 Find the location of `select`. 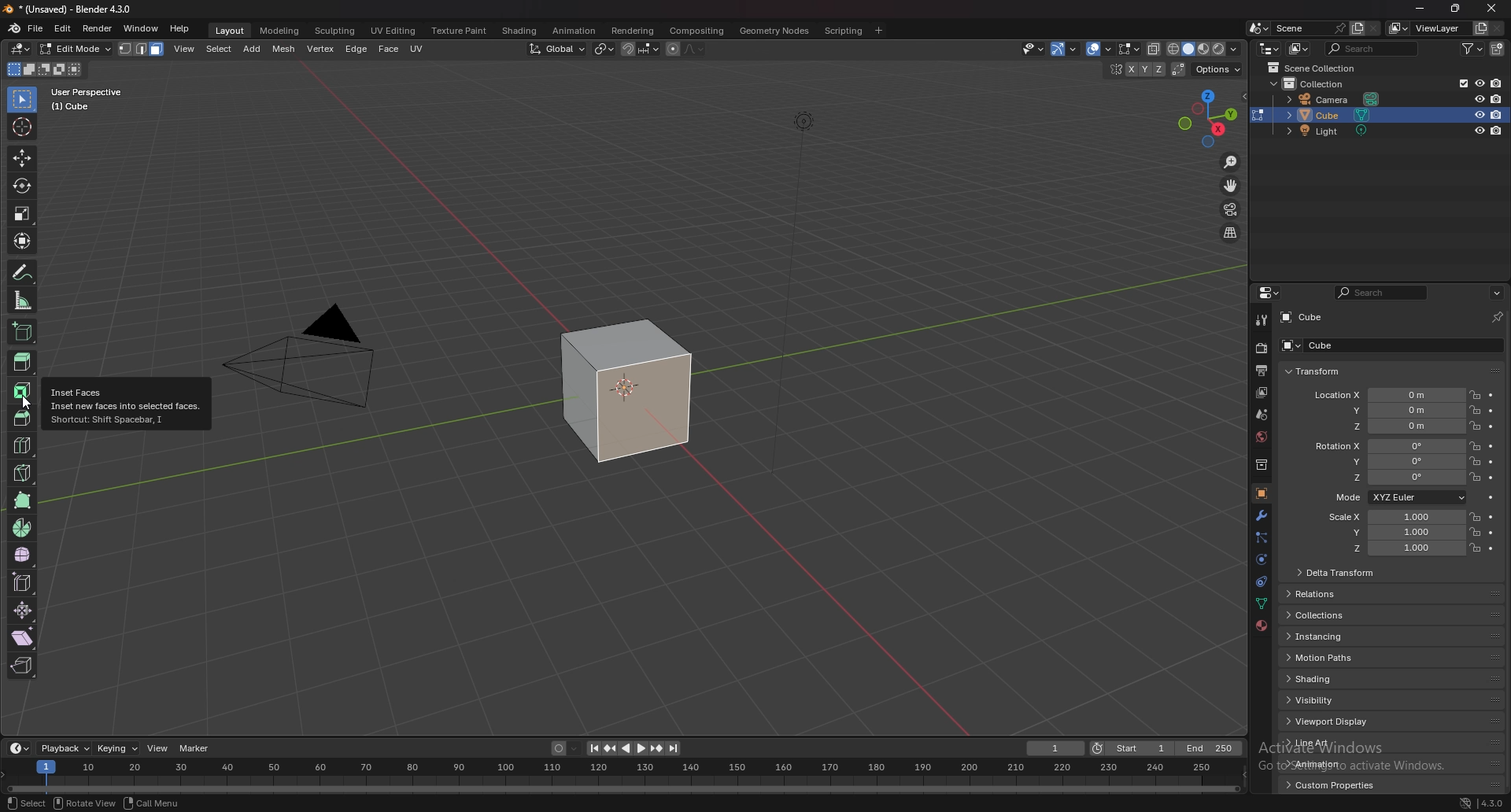

select is located at coordinates (219, 49).